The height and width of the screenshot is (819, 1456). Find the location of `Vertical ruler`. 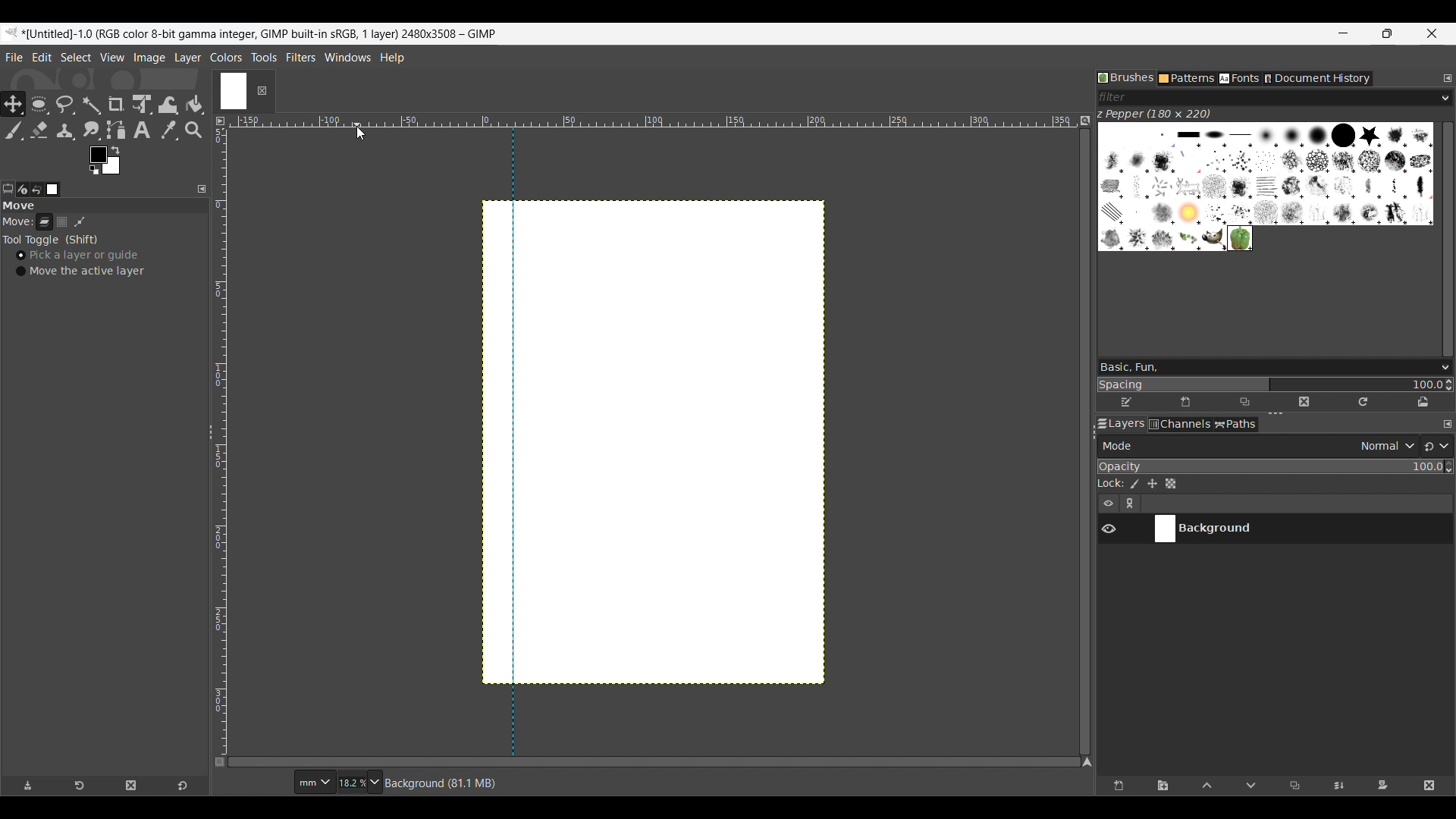

Vertical ruler is located at coordinates (224, 438).